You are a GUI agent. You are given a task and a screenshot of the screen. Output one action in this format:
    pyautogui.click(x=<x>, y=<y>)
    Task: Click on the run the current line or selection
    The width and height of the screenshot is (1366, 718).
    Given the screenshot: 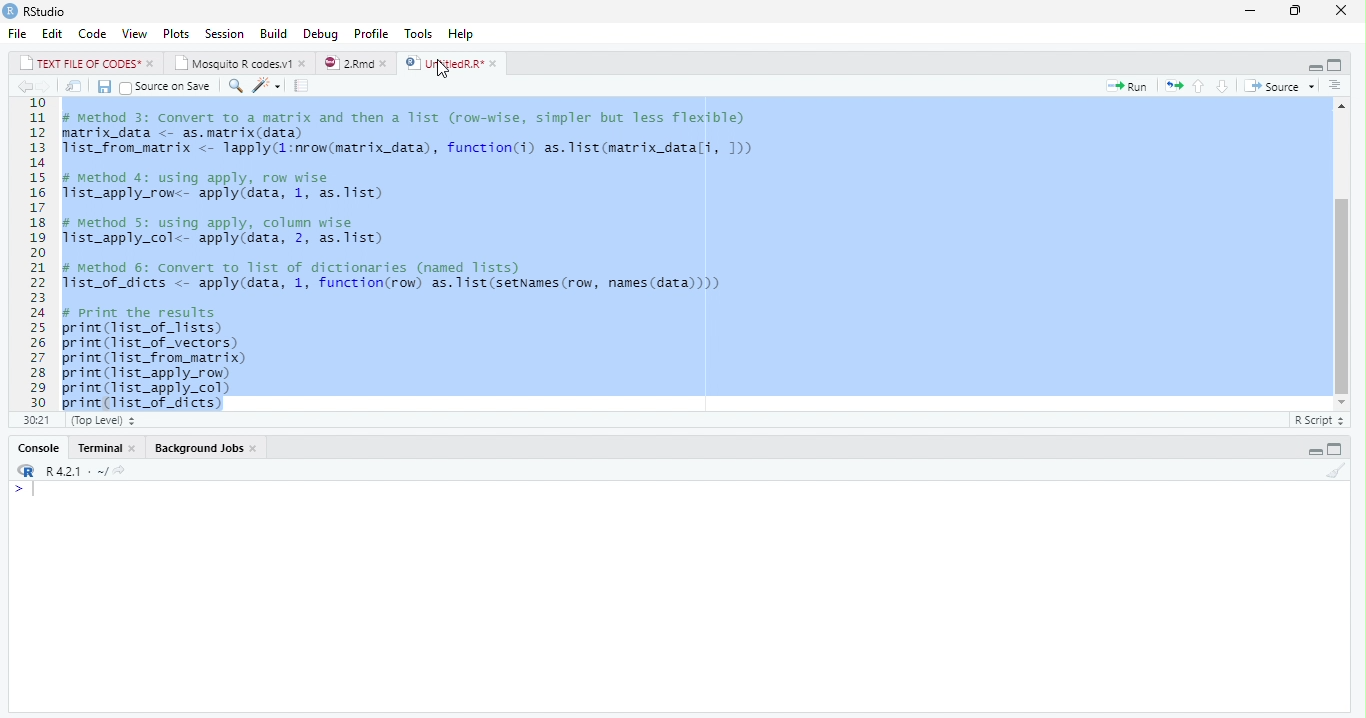 What is the action you would take?
    pyautogui.click(x=1126, y=86)
    